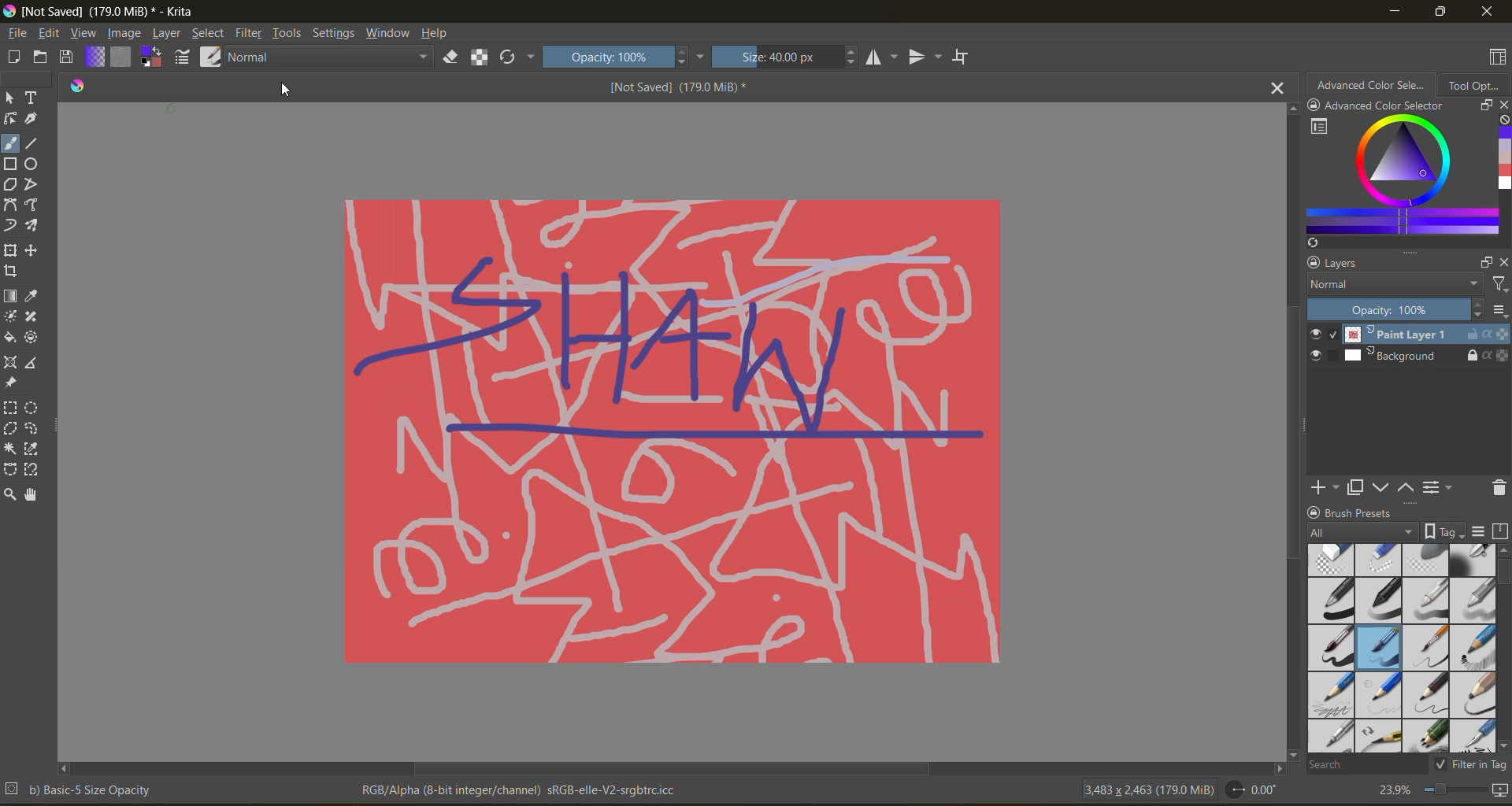 The image size is (1512, 806). Describe the element at coordinates (94, 57) in the screenshot. I see `fill gradient` at that location.